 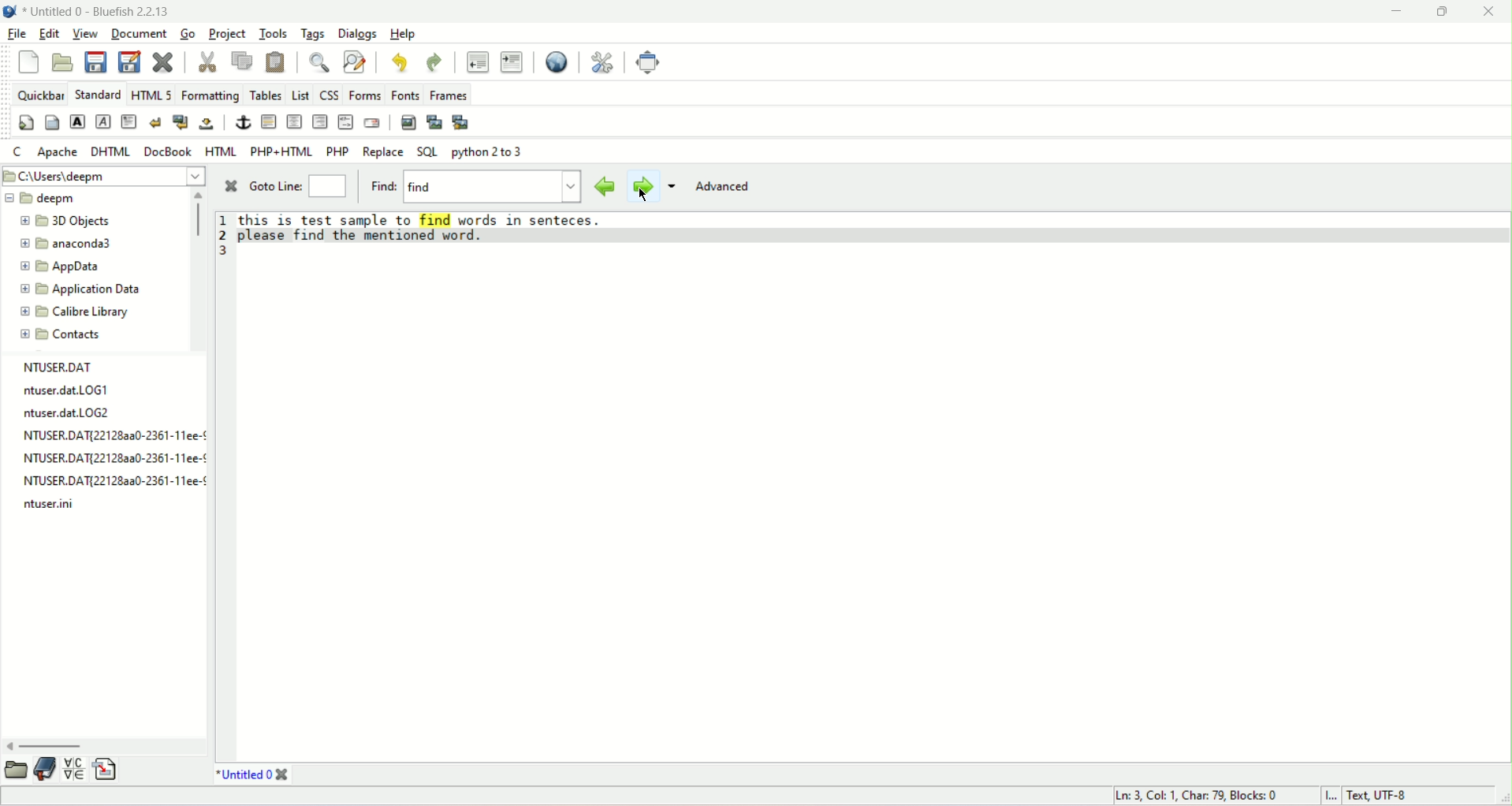 I want to click on break and clear, so click(x=178, y=122).